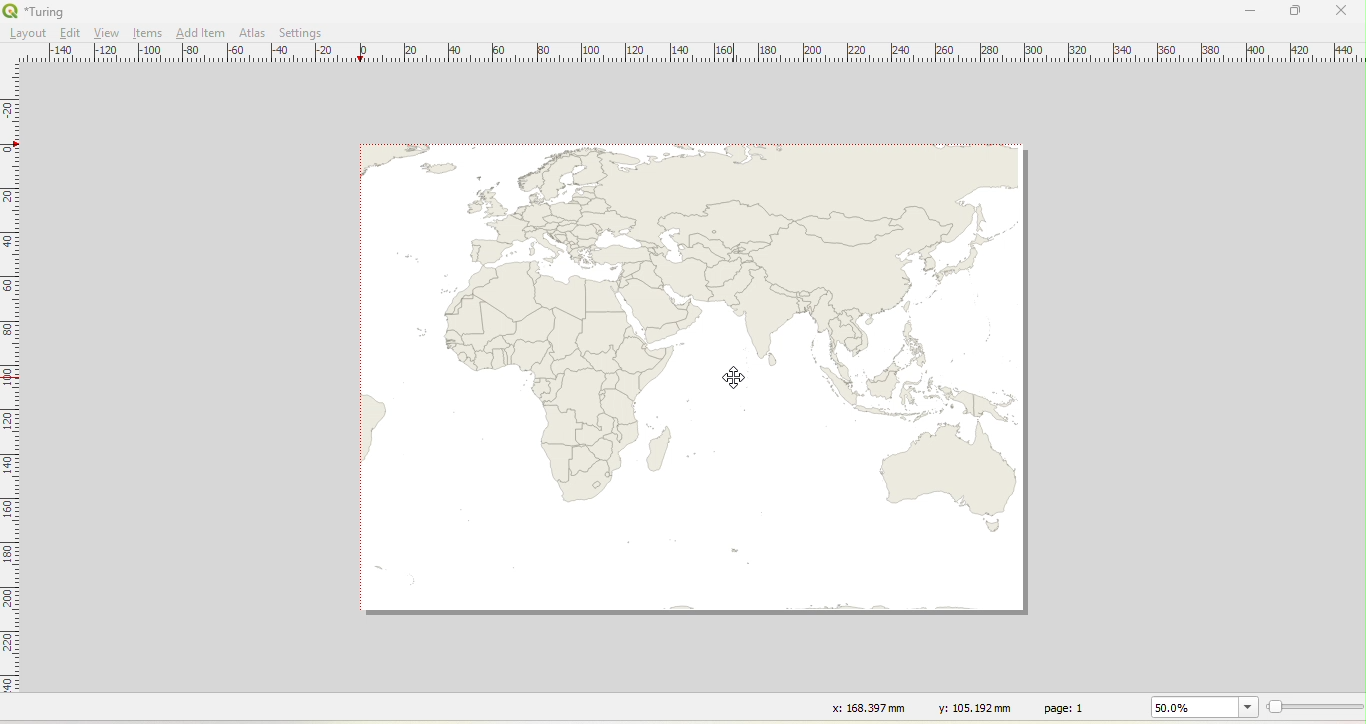  What do you see at coordinates (200, 33) in the screenshot?
I see `Add Item` at bounding box center [200, 33].